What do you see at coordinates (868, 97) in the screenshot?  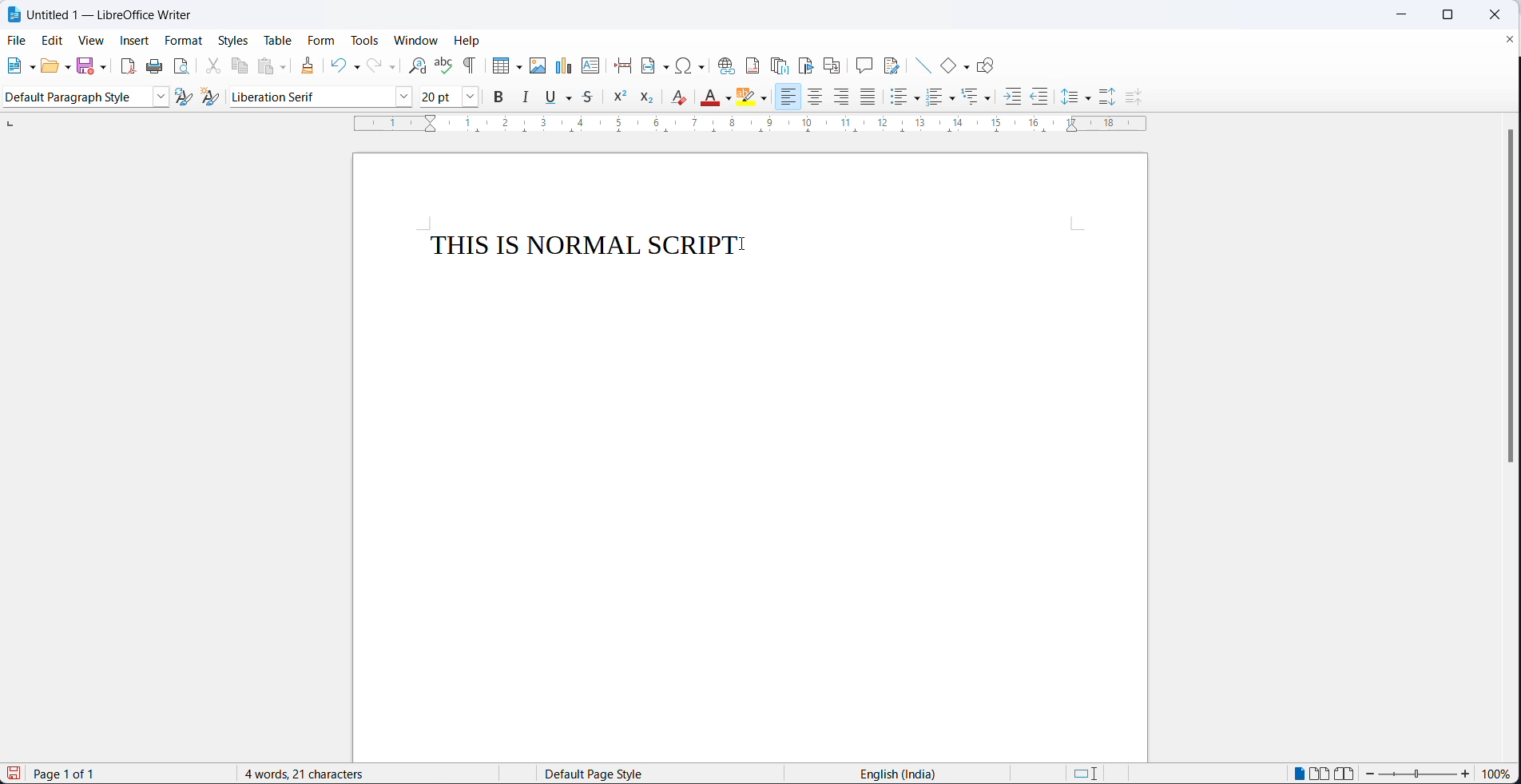 I see `justified` at bounding box center [868, 97].